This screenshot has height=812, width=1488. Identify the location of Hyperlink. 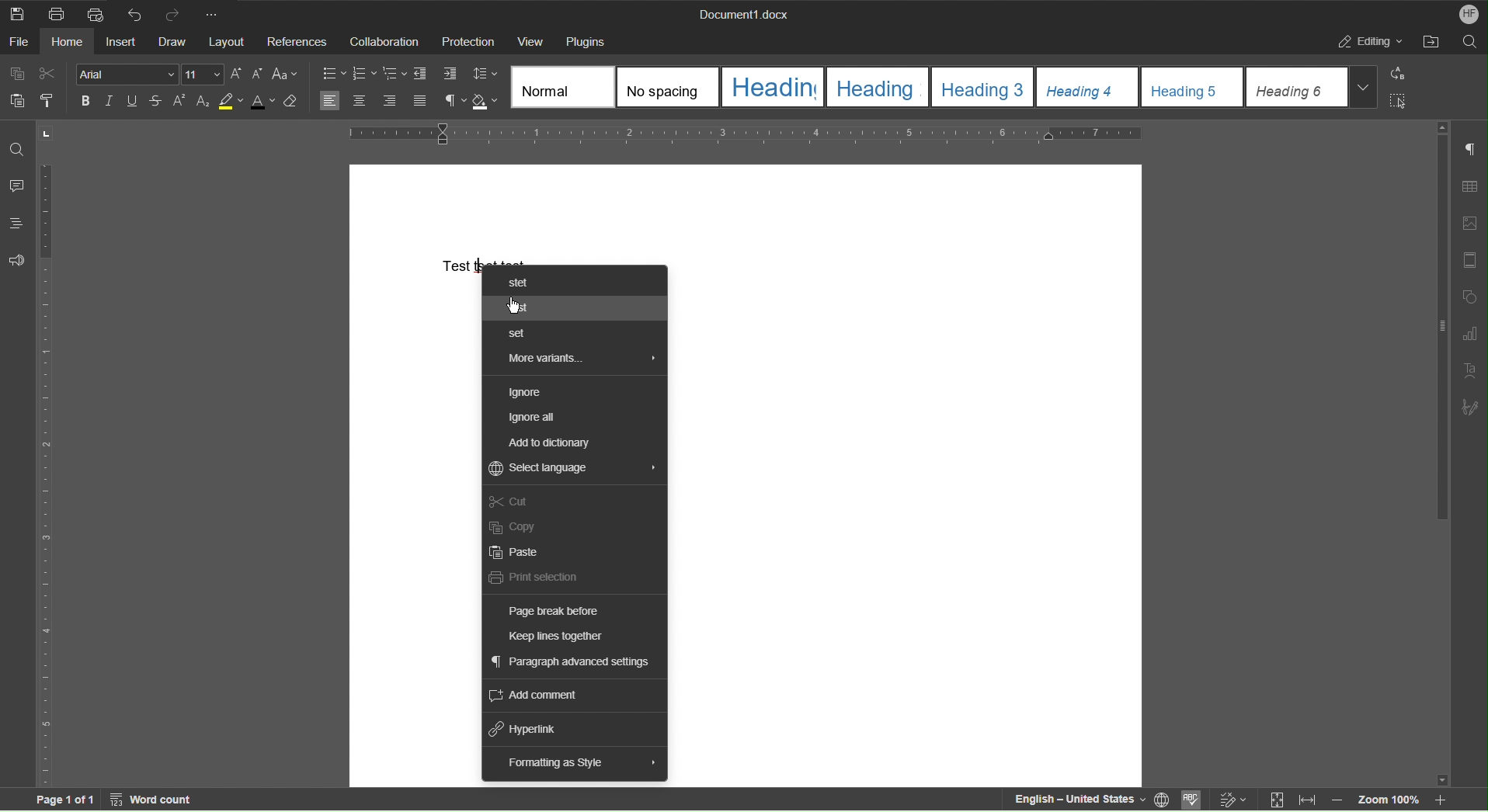
(527, 733).